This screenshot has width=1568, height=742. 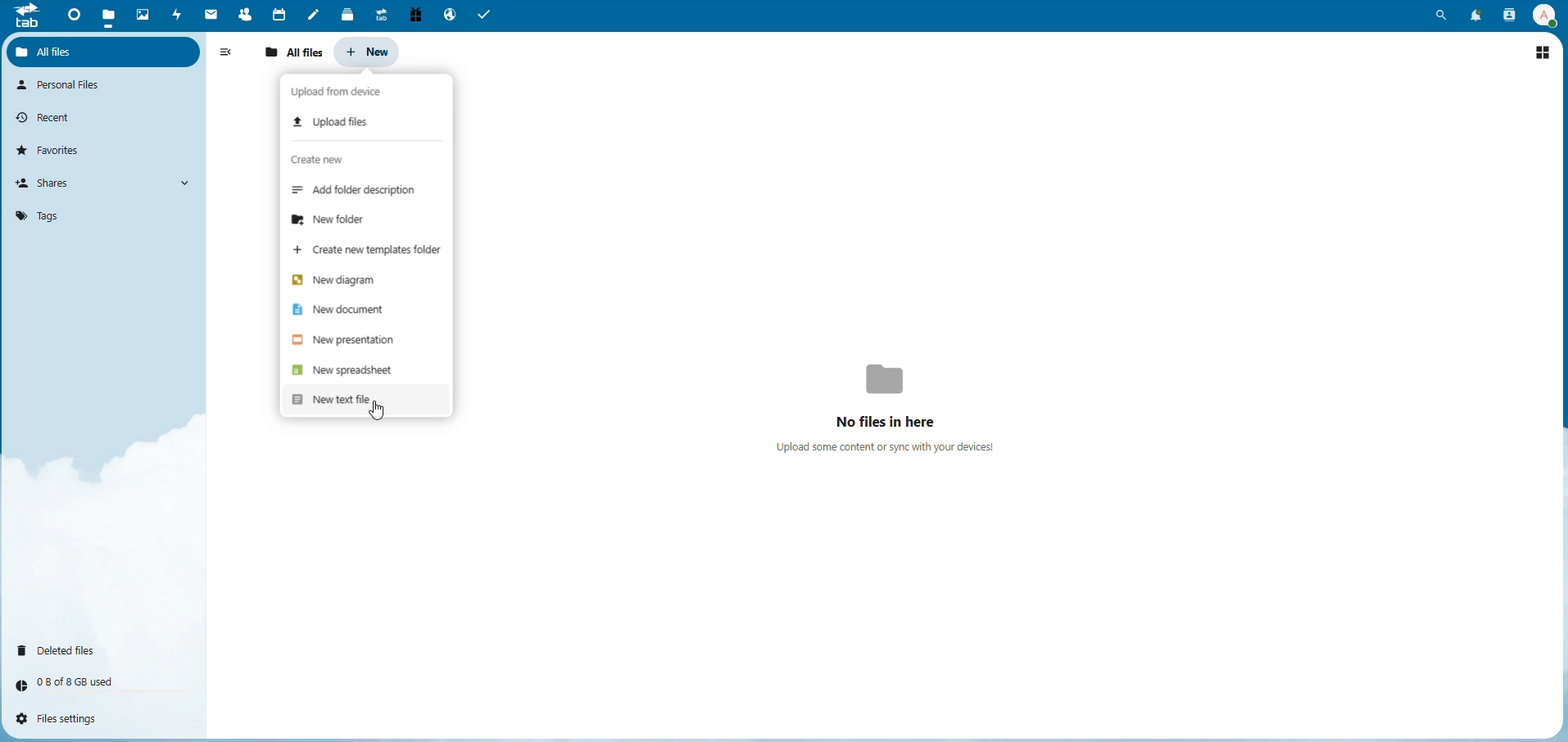 I want to click on Contacts, so click(x=1507, y=16).